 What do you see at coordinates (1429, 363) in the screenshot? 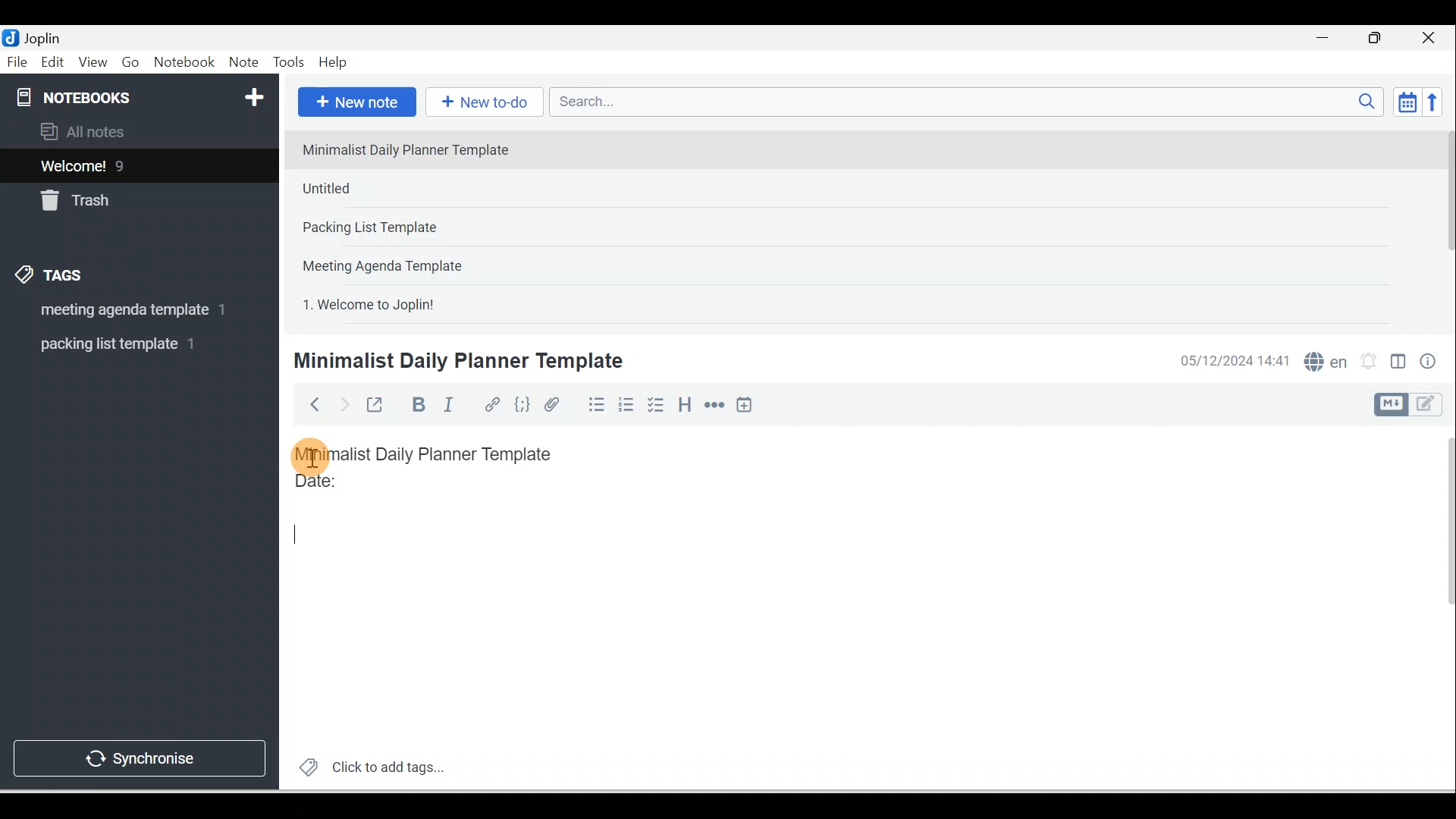
I see `Note properties` at bounding box center [1429, 363].